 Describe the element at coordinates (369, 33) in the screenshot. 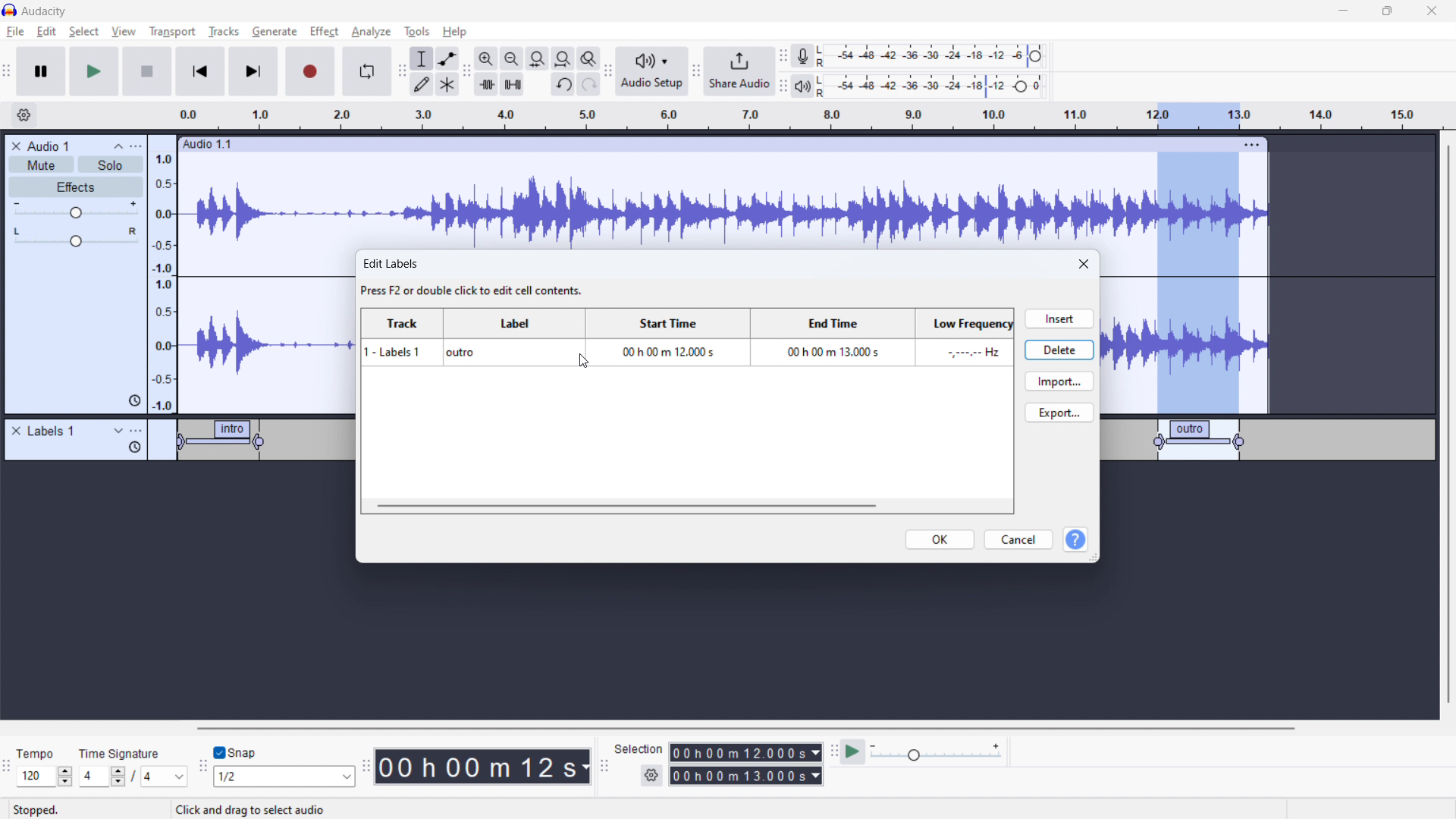

I see `analyze` at that location.